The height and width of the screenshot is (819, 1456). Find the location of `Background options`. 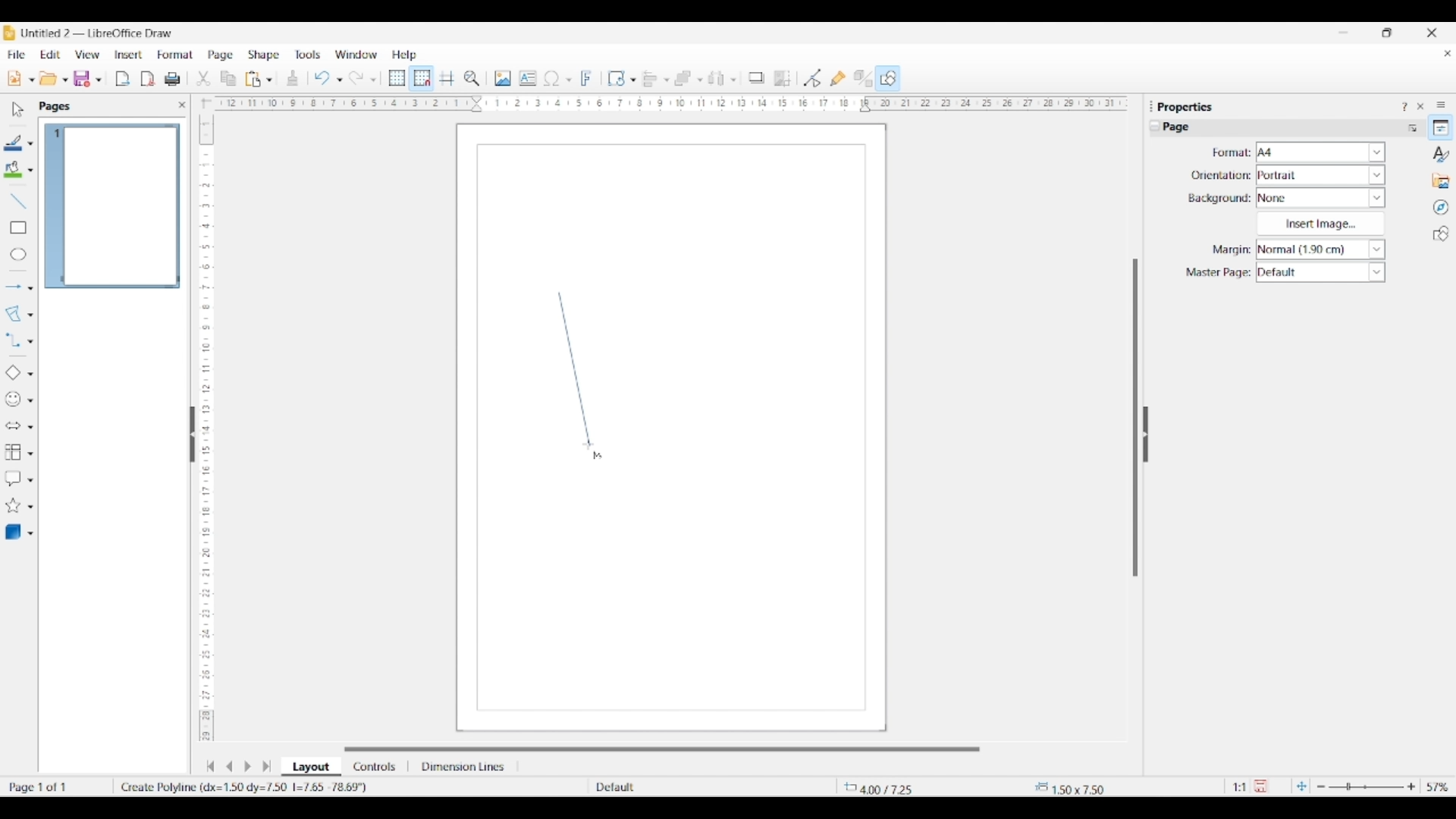

Background options is located at coordinates (1321, 198).